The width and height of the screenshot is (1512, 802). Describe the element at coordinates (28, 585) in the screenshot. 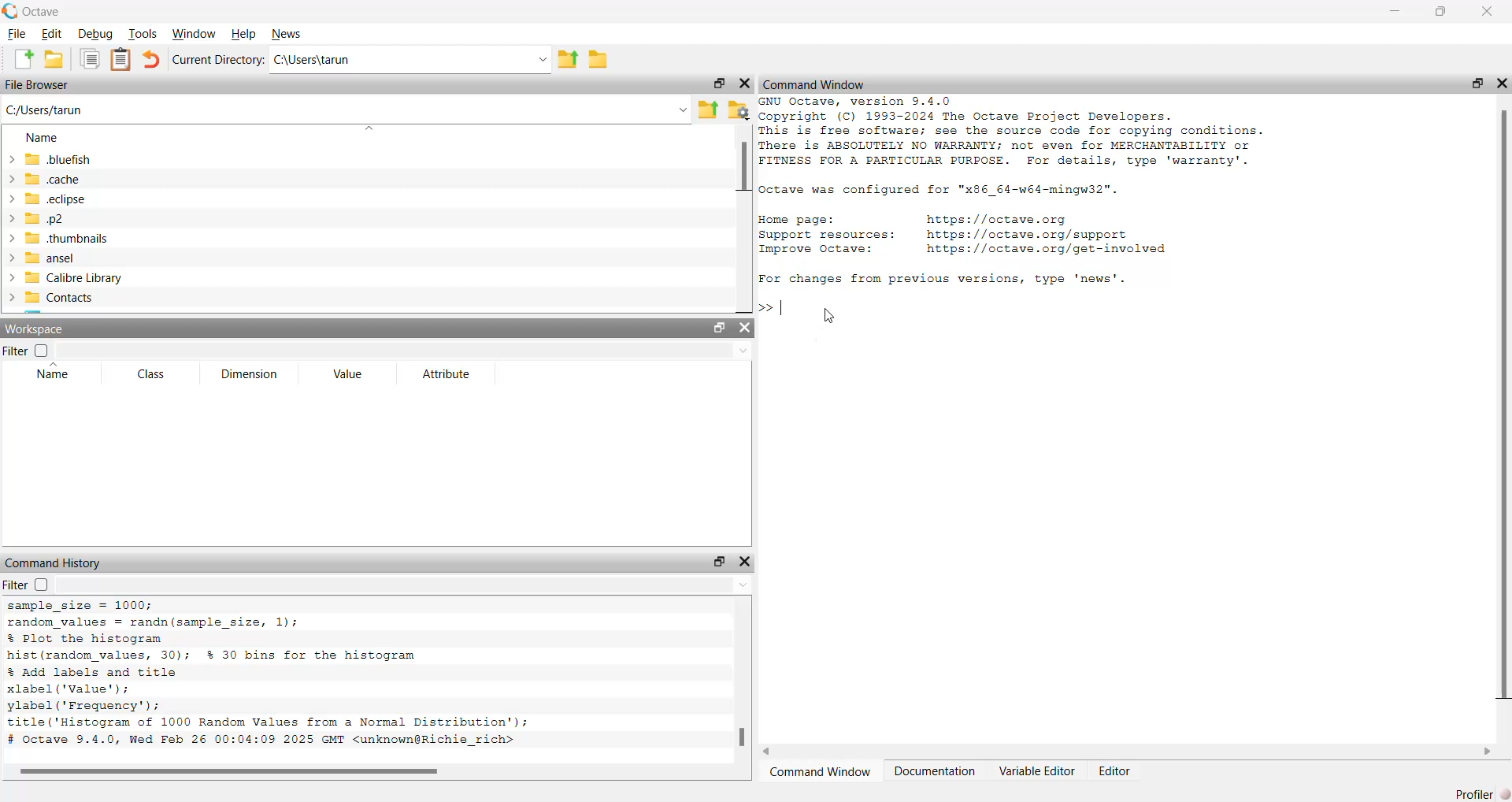

I see `Filter` at that location.